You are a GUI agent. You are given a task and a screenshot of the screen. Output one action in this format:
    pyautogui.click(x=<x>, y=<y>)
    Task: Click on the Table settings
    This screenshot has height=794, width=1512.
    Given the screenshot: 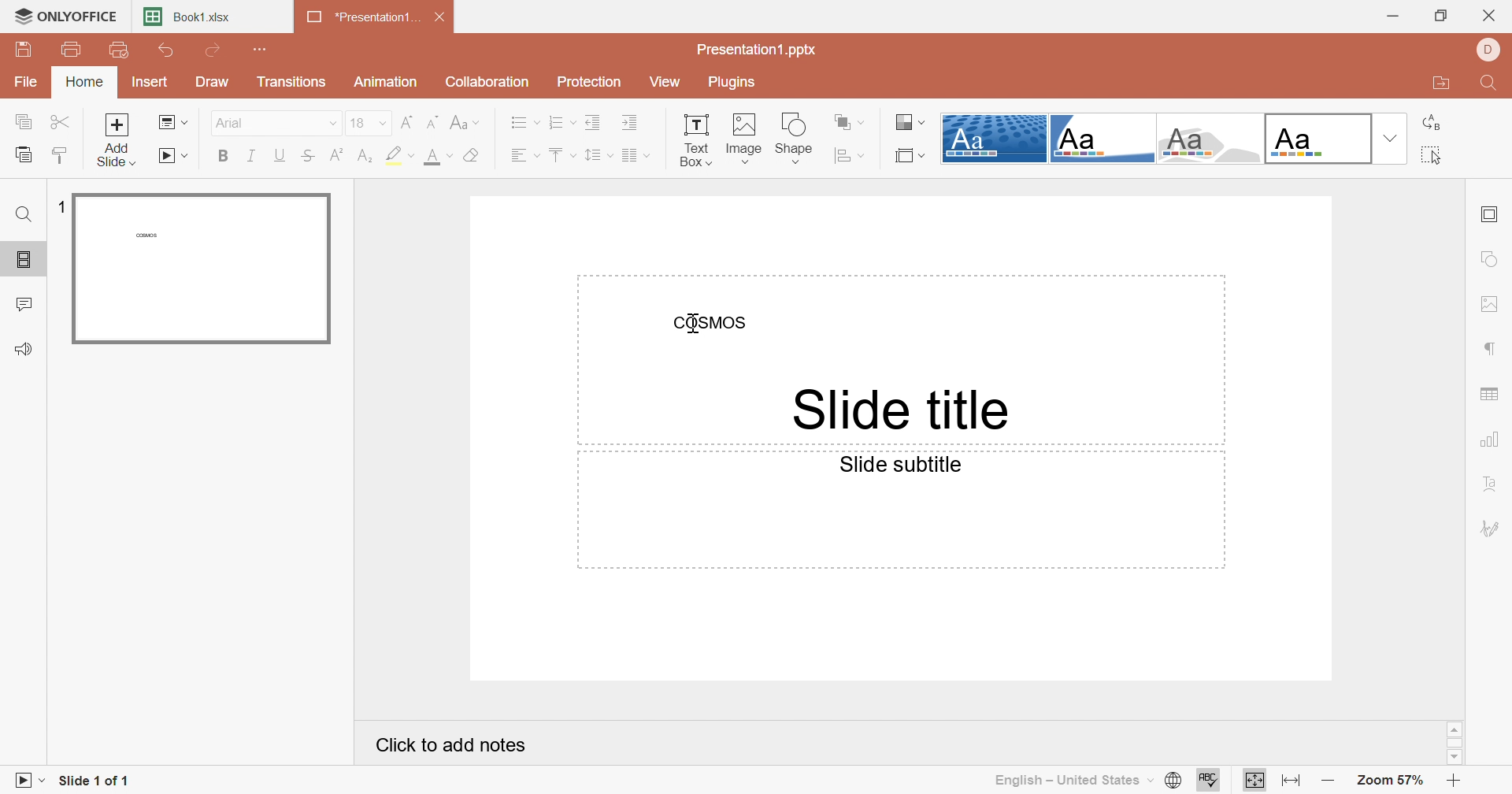 What is the action you would take?
    pyautogui.click(x=1489, y=391)
    